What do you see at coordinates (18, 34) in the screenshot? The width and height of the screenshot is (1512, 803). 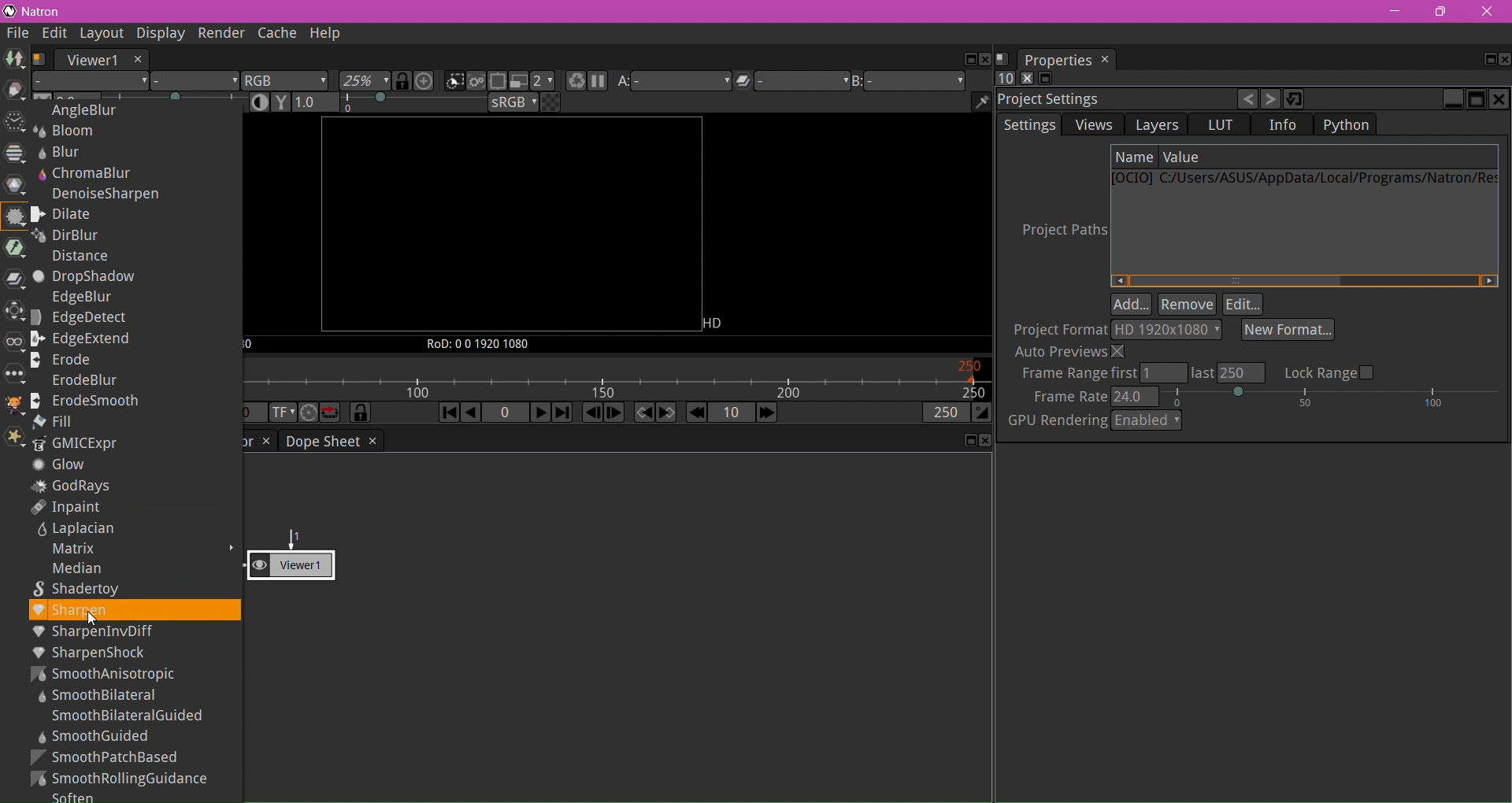 I see `File` at bounding box center [18, 34].